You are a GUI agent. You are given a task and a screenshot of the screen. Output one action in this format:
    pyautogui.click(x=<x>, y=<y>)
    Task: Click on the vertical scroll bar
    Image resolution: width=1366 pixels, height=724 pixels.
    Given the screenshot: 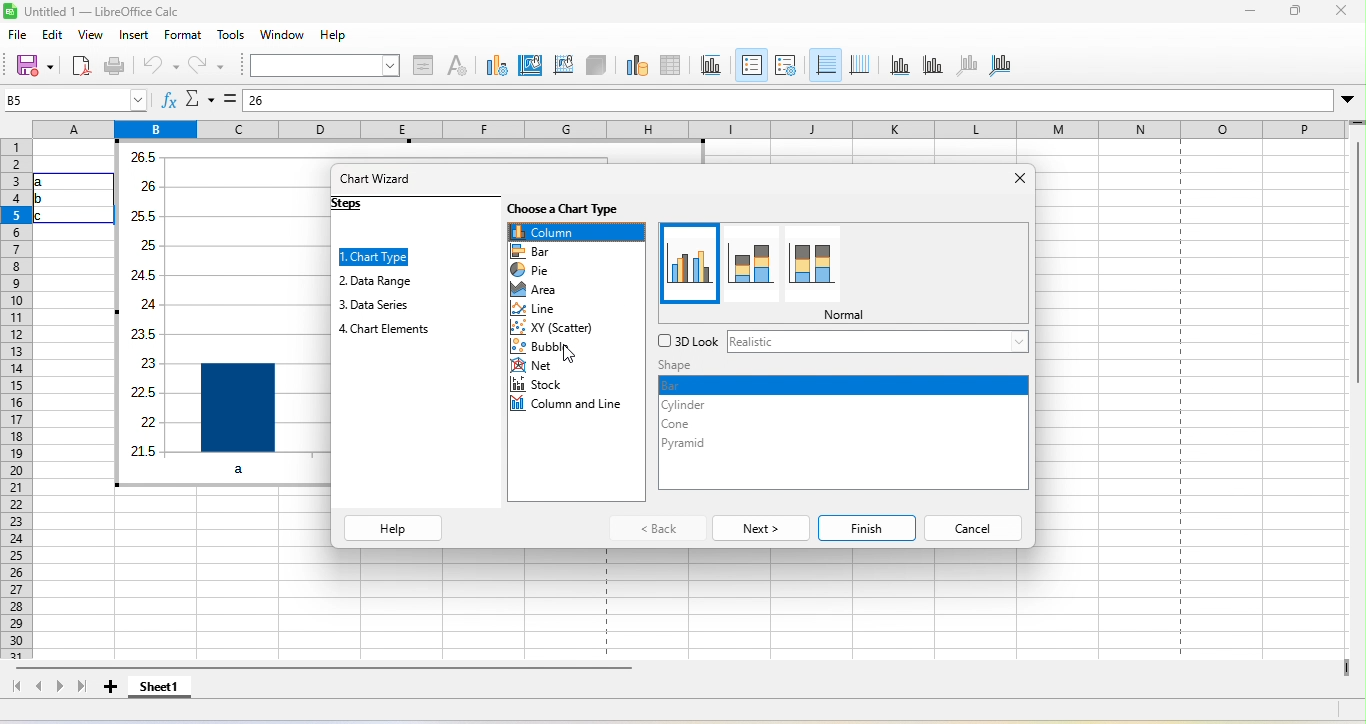 What is the action you would take?
    pyautogui.click(x=1357, y=298)
    